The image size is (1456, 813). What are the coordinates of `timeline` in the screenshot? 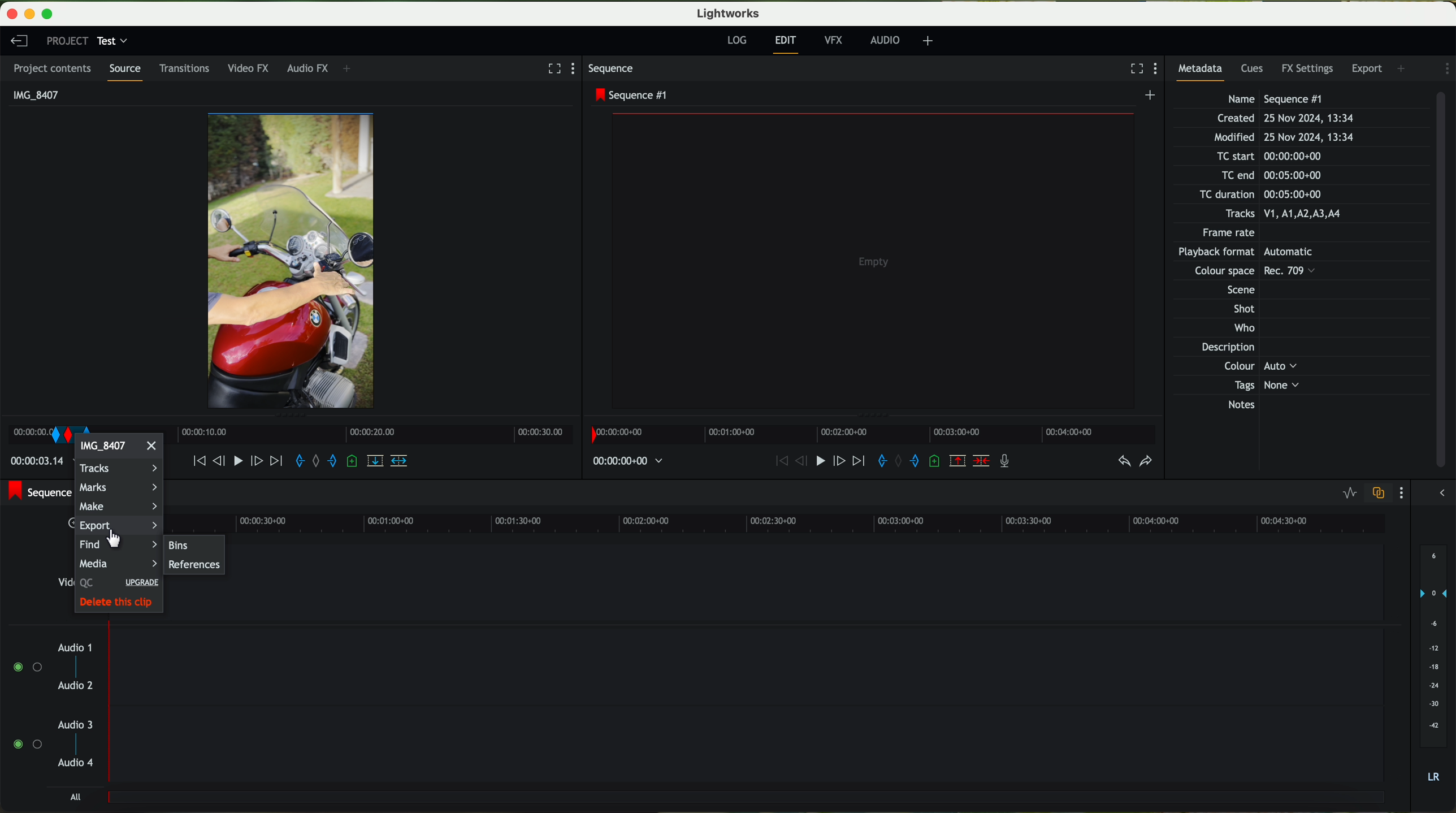 It's located at (872, 434).